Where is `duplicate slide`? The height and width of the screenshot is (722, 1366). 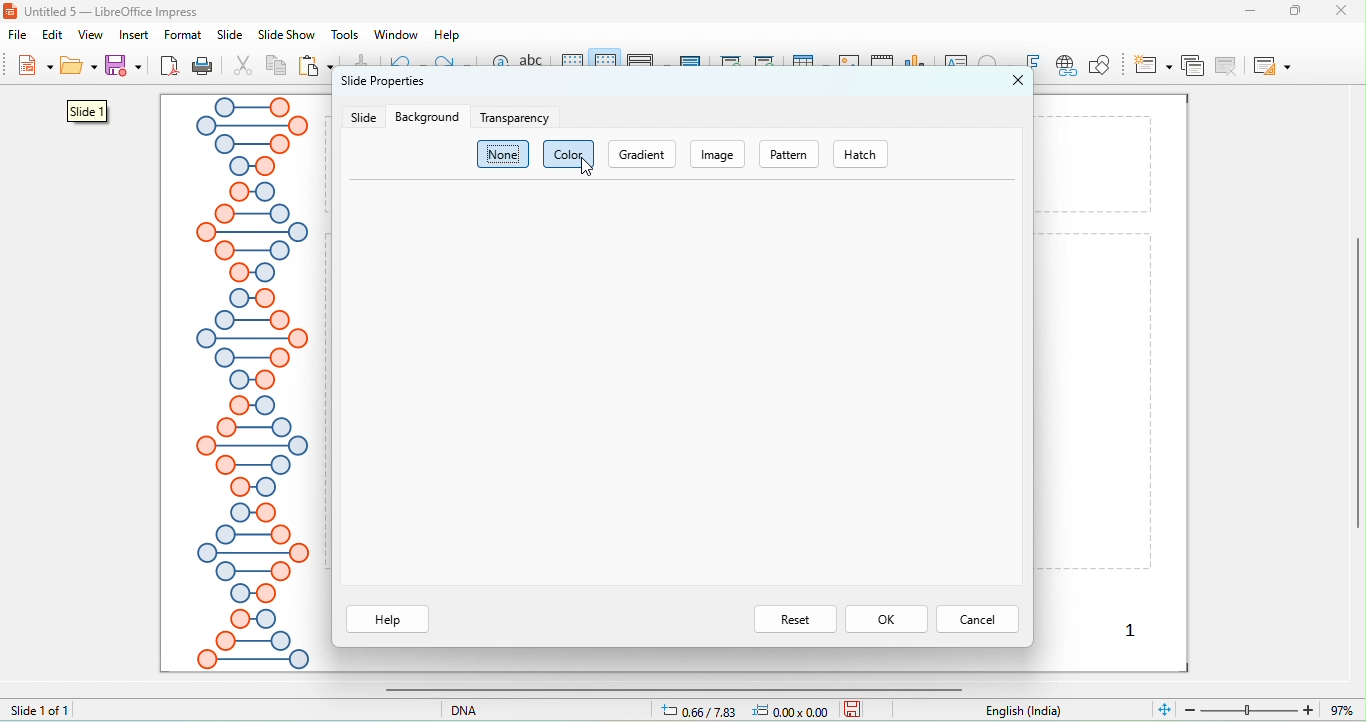 duplicate slide is located at coordinates (1192, 65).